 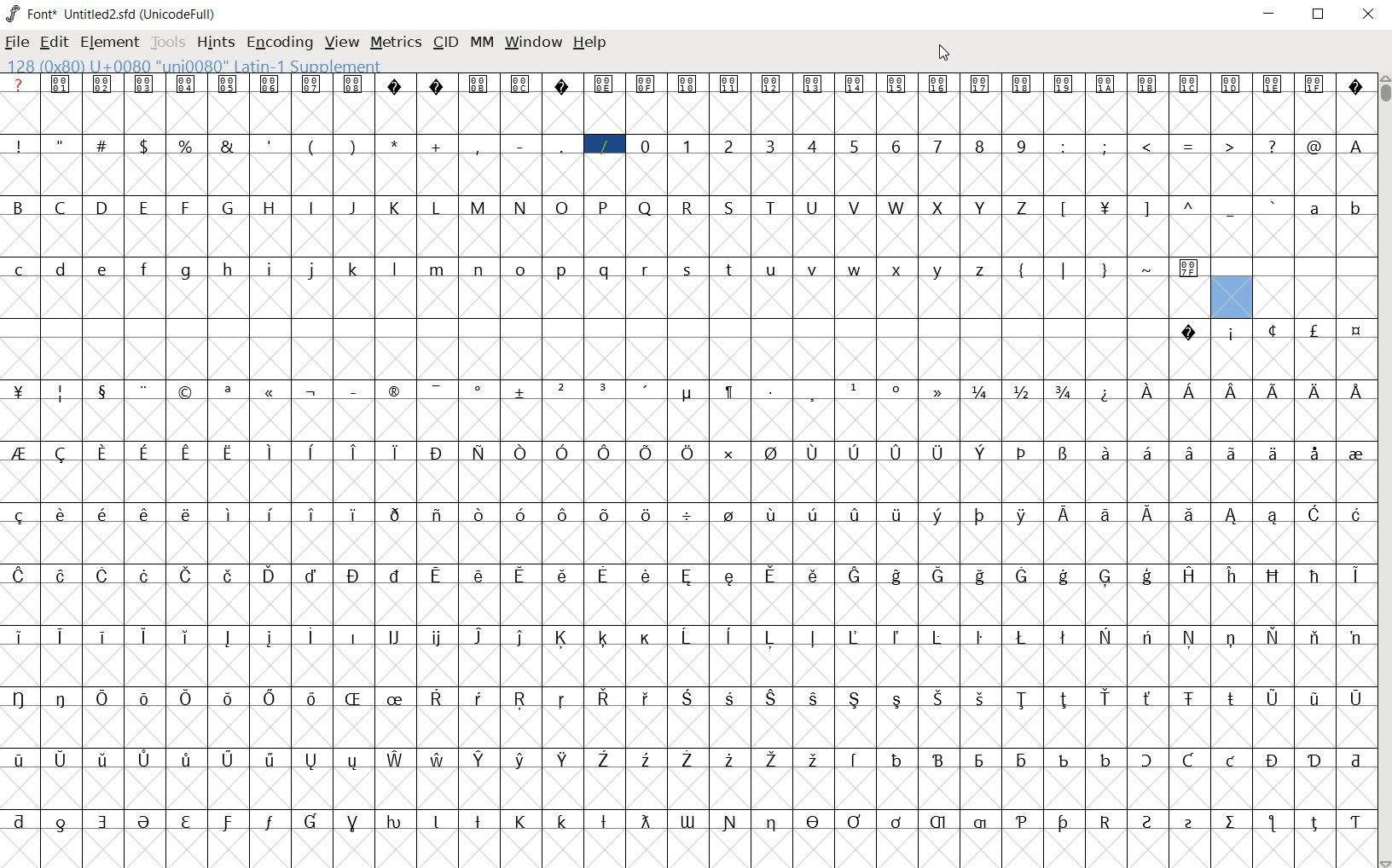 I want to click on glyph, so click(x=1355, y=699).